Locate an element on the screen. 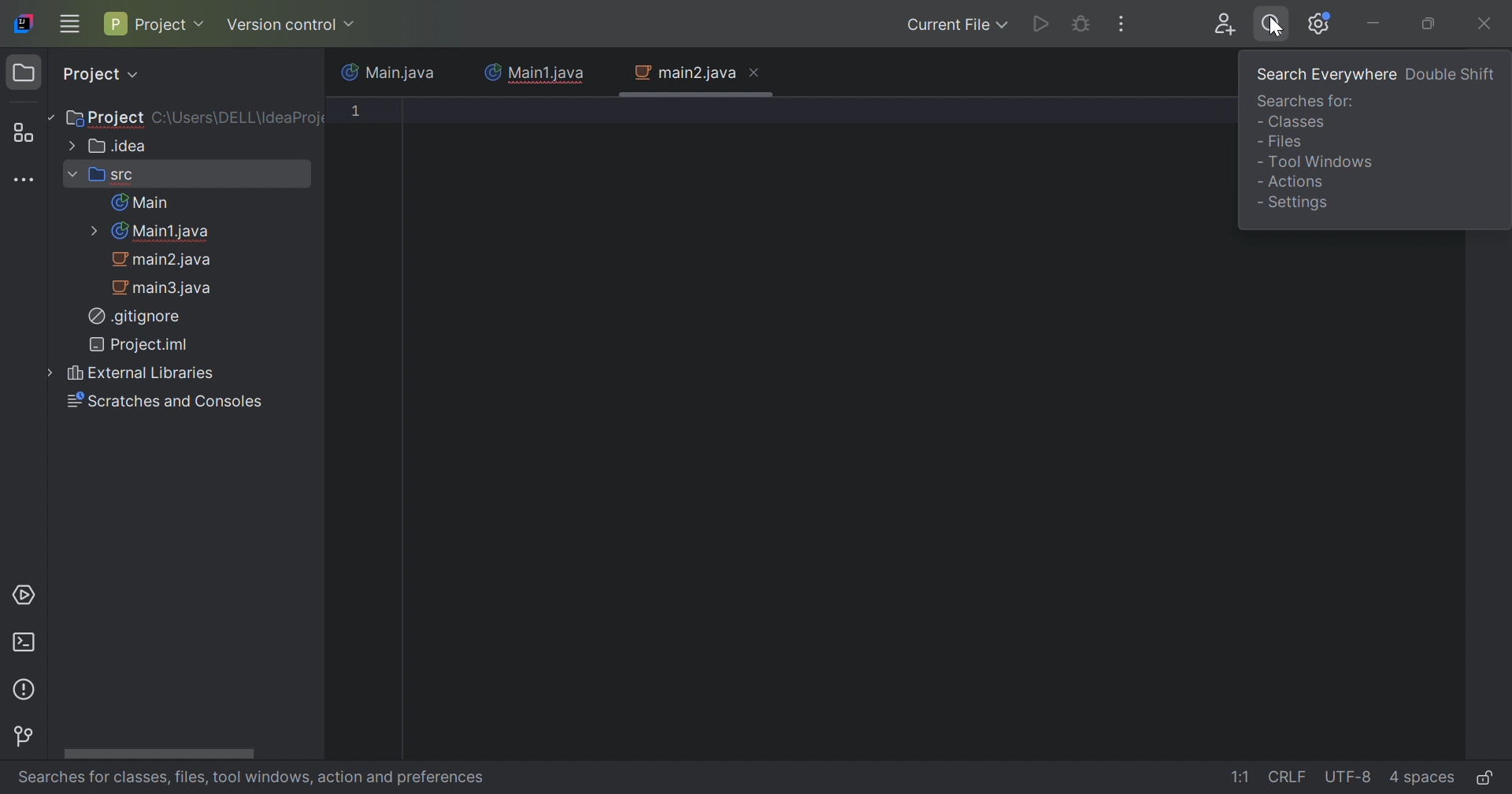  Restore down is located at coordinates (1431, 24).